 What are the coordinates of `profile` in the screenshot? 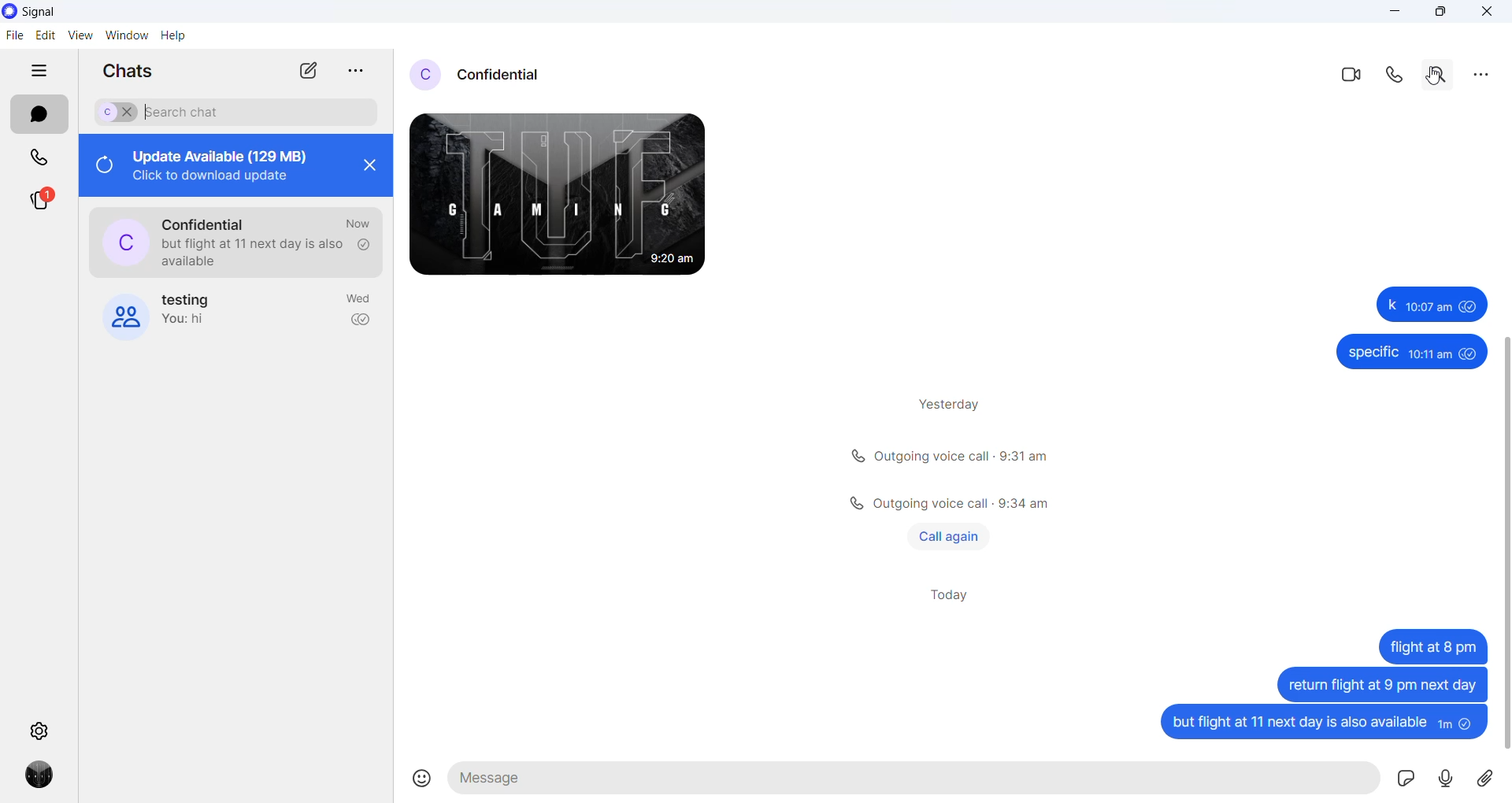 It's located at (41, 776).